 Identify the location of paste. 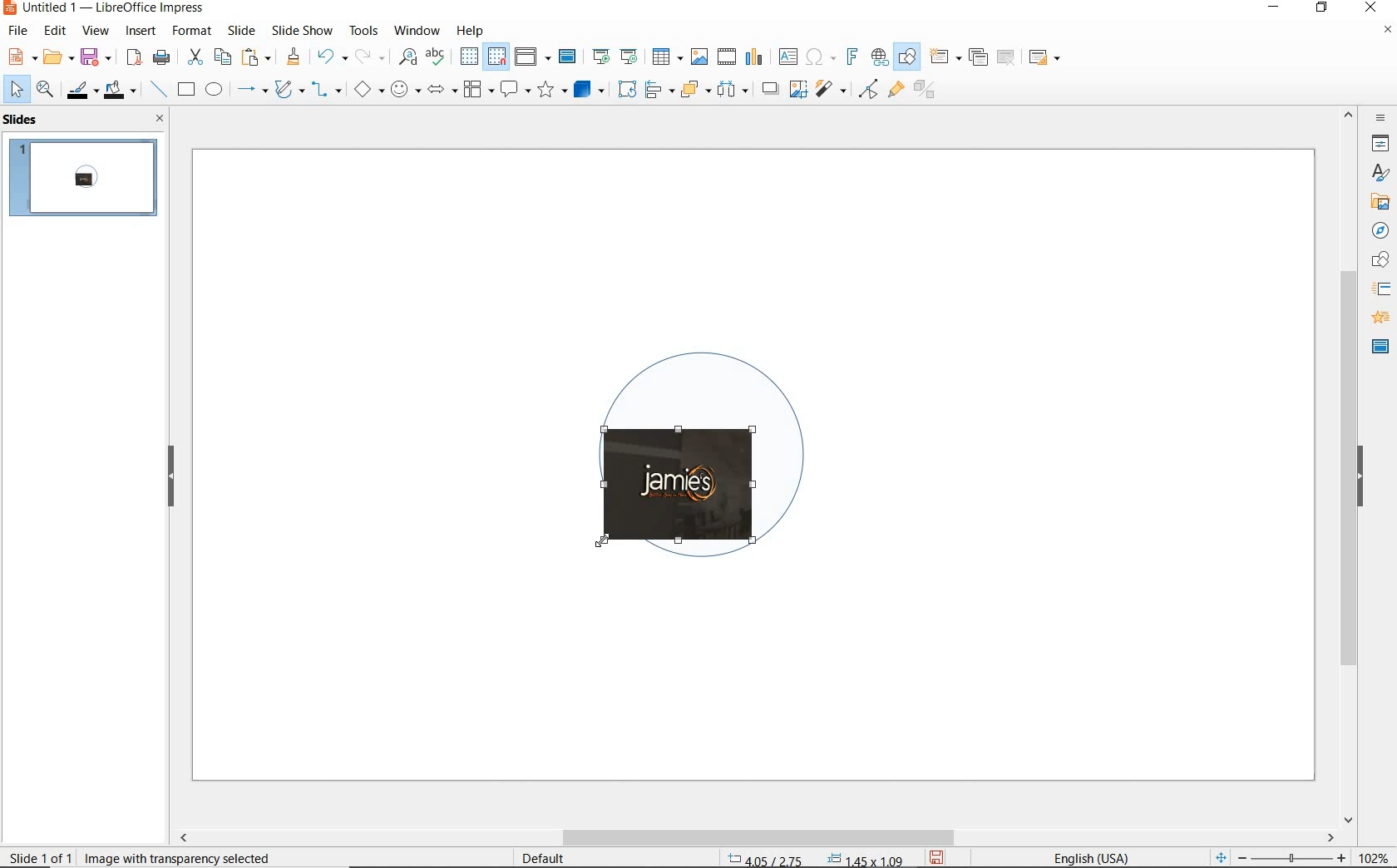
(257, 57).